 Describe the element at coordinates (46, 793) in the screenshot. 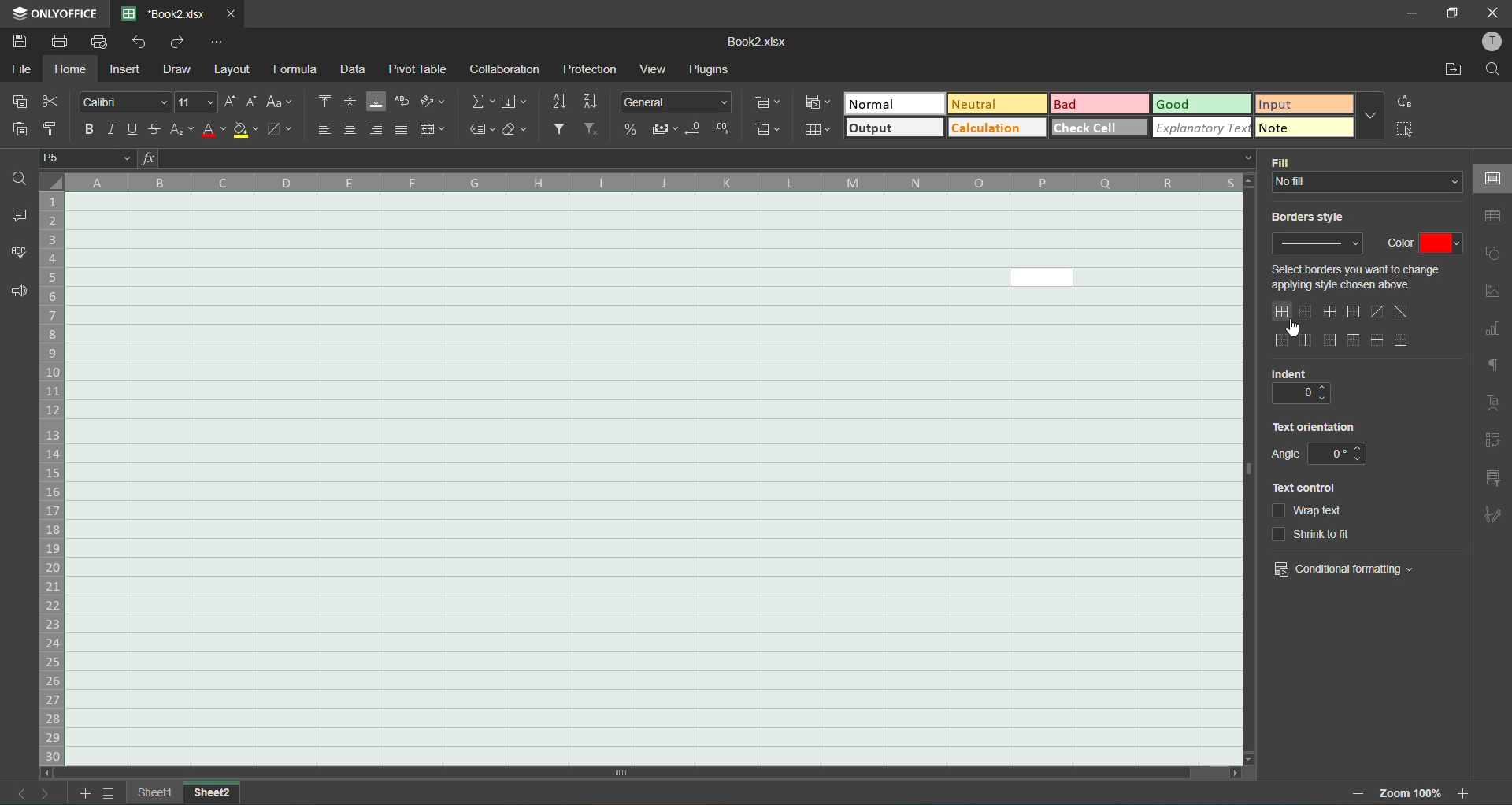

I see `next` at that location.